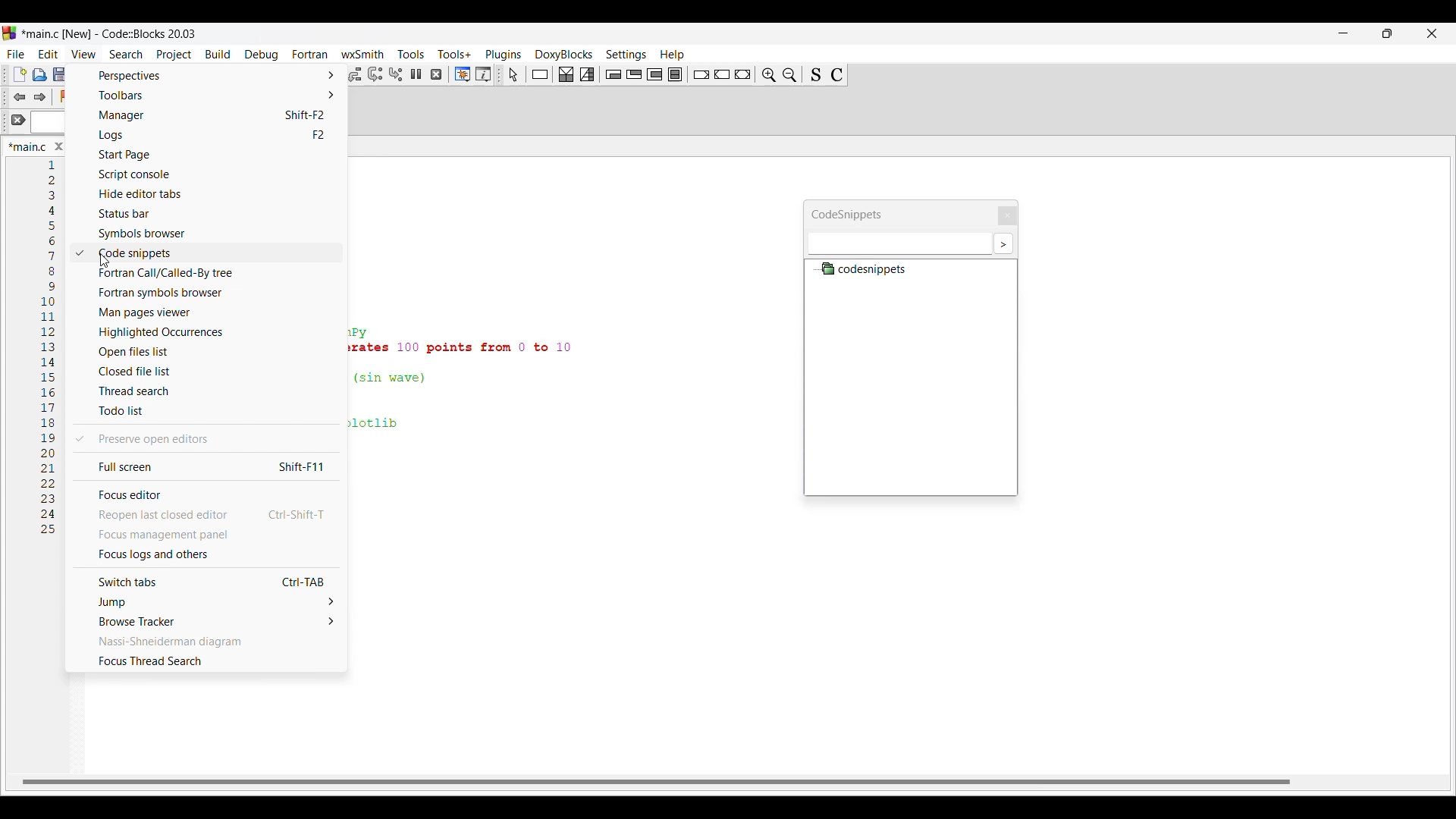 The width and height of the screenshot is (1456, 819). What do you see at coordinates (206, 494) in the screenshot?
I see `Focus editor` at bounding box center [206, 494].